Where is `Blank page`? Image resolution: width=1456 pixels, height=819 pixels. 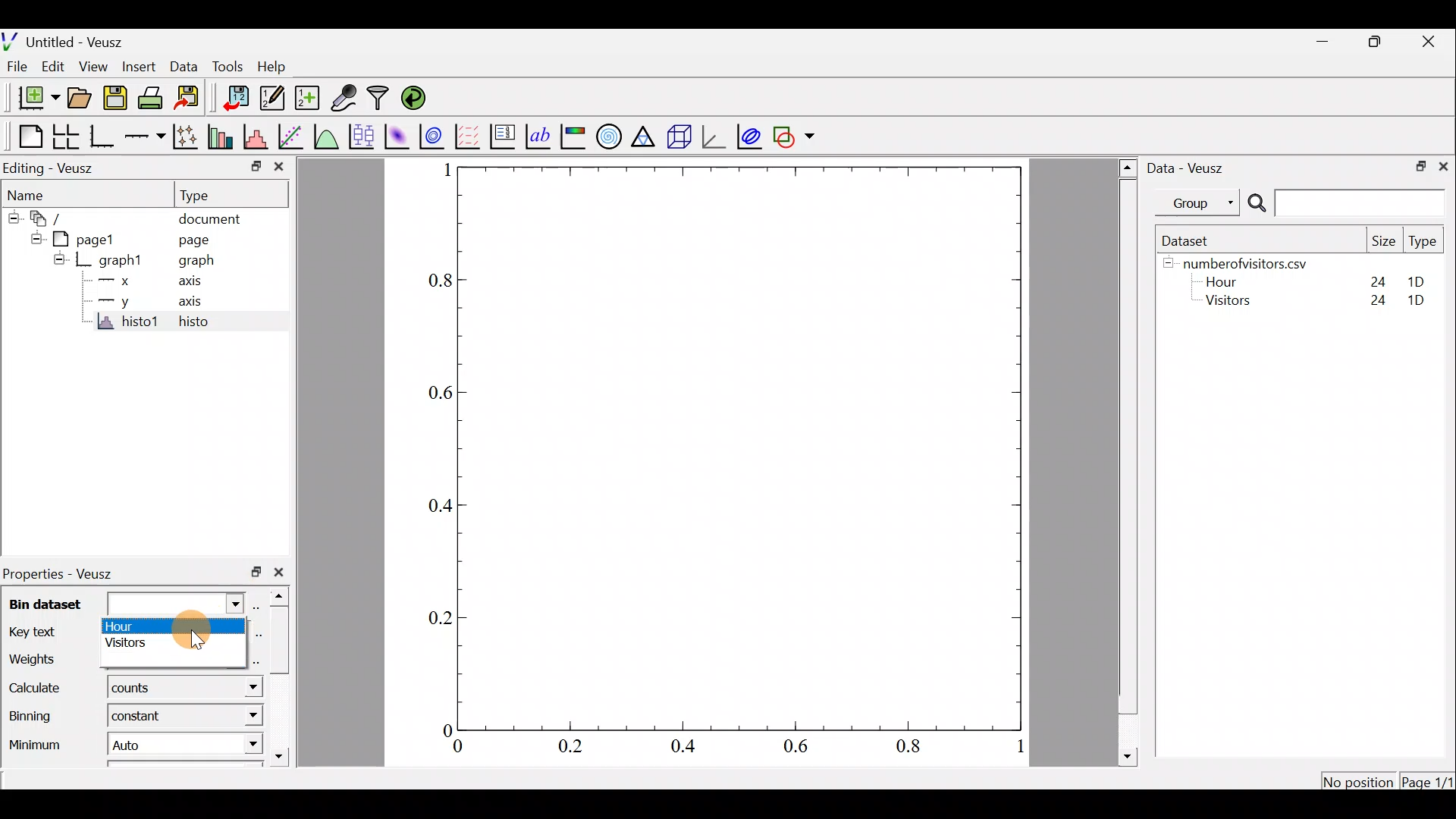 Blank page is located at coordinates (26, 135).